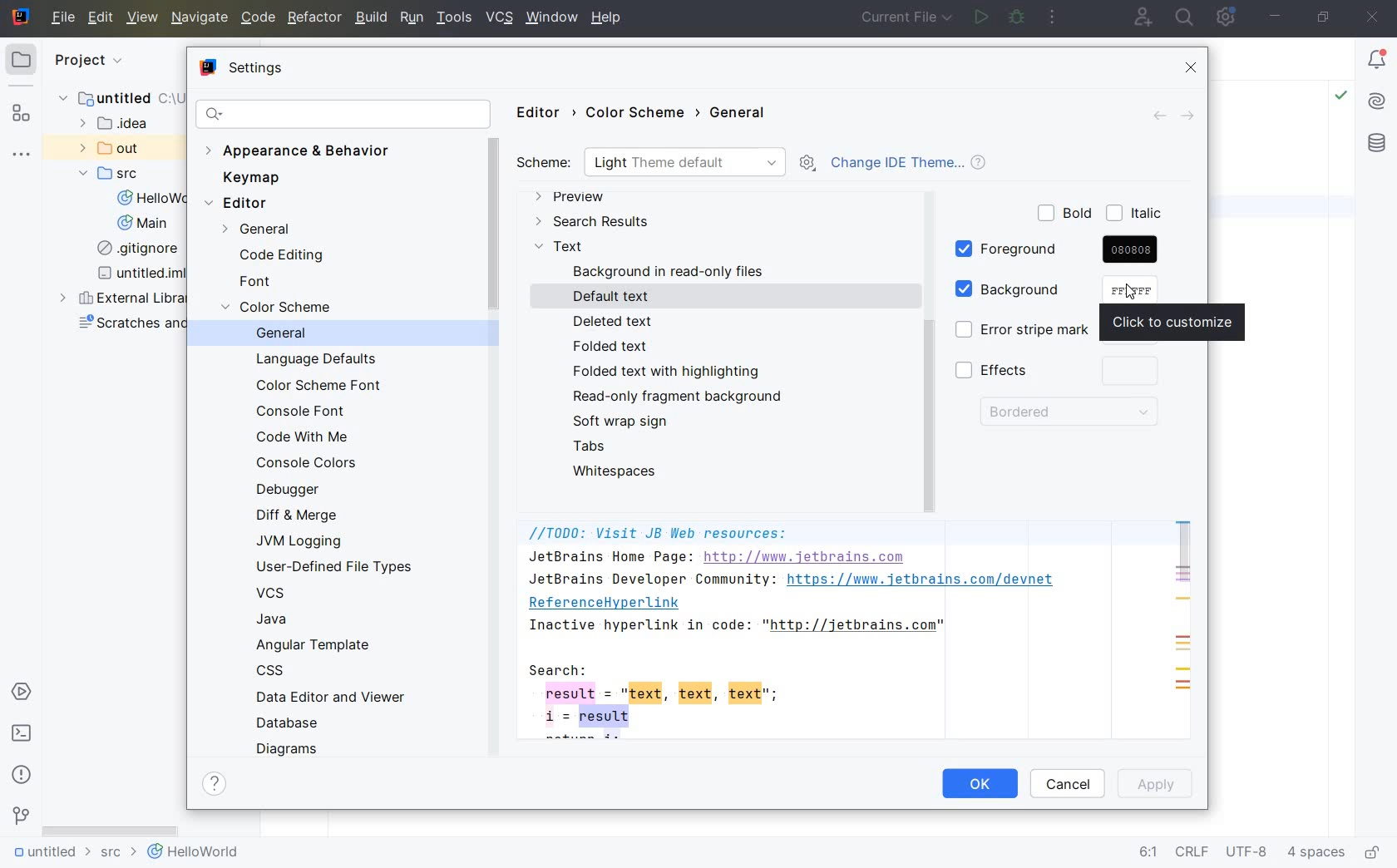 The width and height of the screenshot is (1397, 868). I want to click on JB Web resources, so click(800, 633).